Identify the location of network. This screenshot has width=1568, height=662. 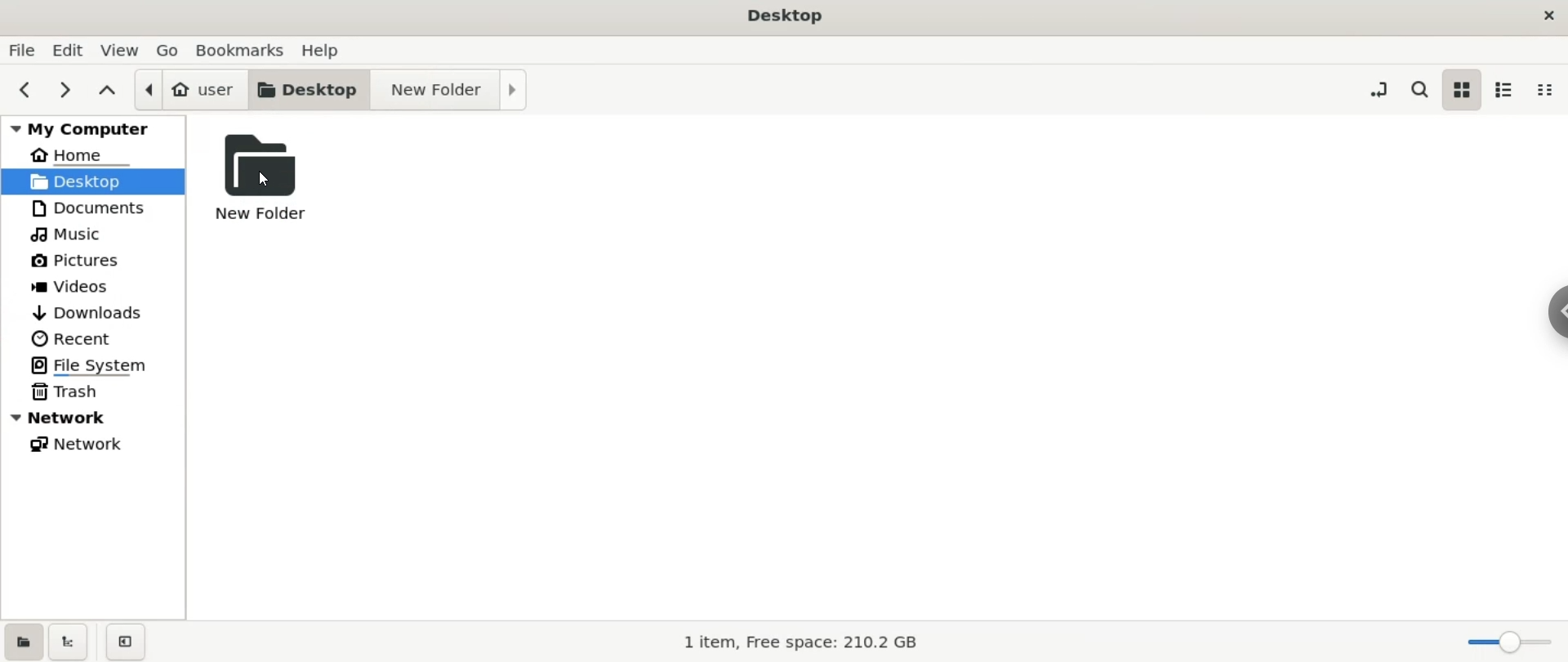
(95, 445).